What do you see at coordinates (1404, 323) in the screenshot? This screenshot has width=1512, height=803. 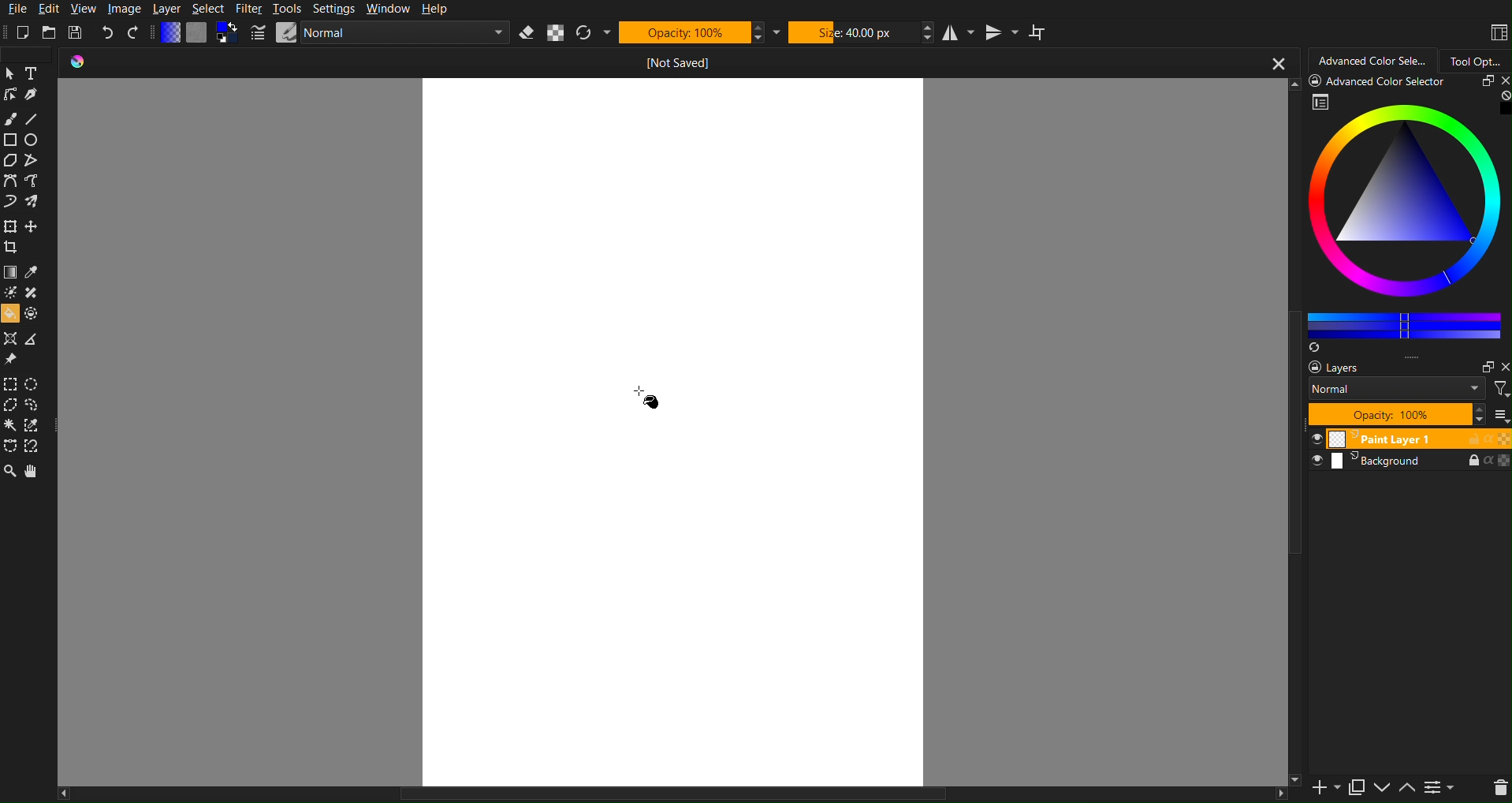 I see `color line` at bounding box center [1404, 323].